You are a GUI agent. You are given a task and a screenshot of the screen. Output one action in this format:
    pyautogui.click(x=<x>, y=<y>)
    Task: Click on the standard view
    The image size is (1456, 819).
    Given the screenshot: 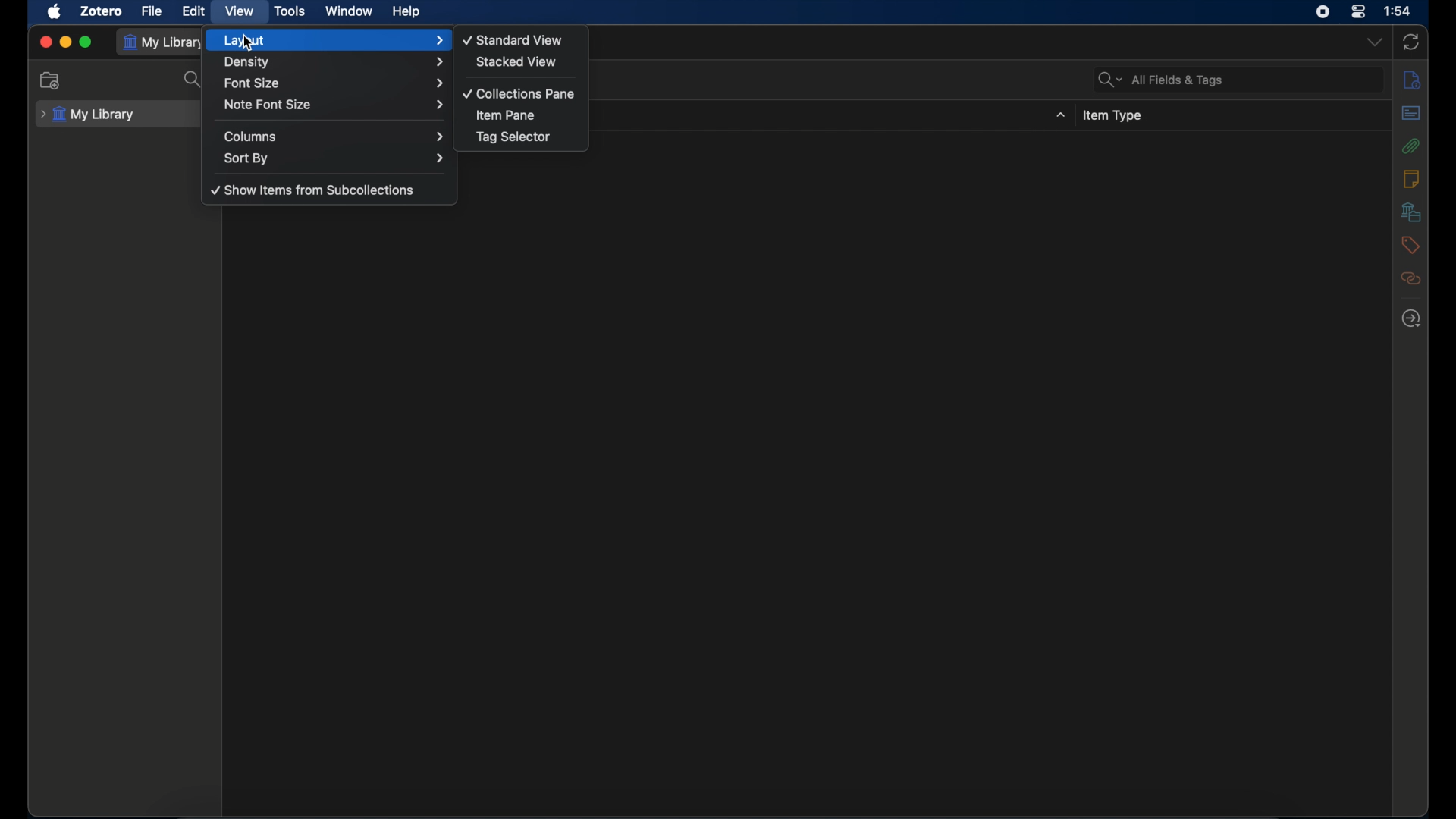 What is the action you would take?
    pyautogui.click(x=514, y=40)
    